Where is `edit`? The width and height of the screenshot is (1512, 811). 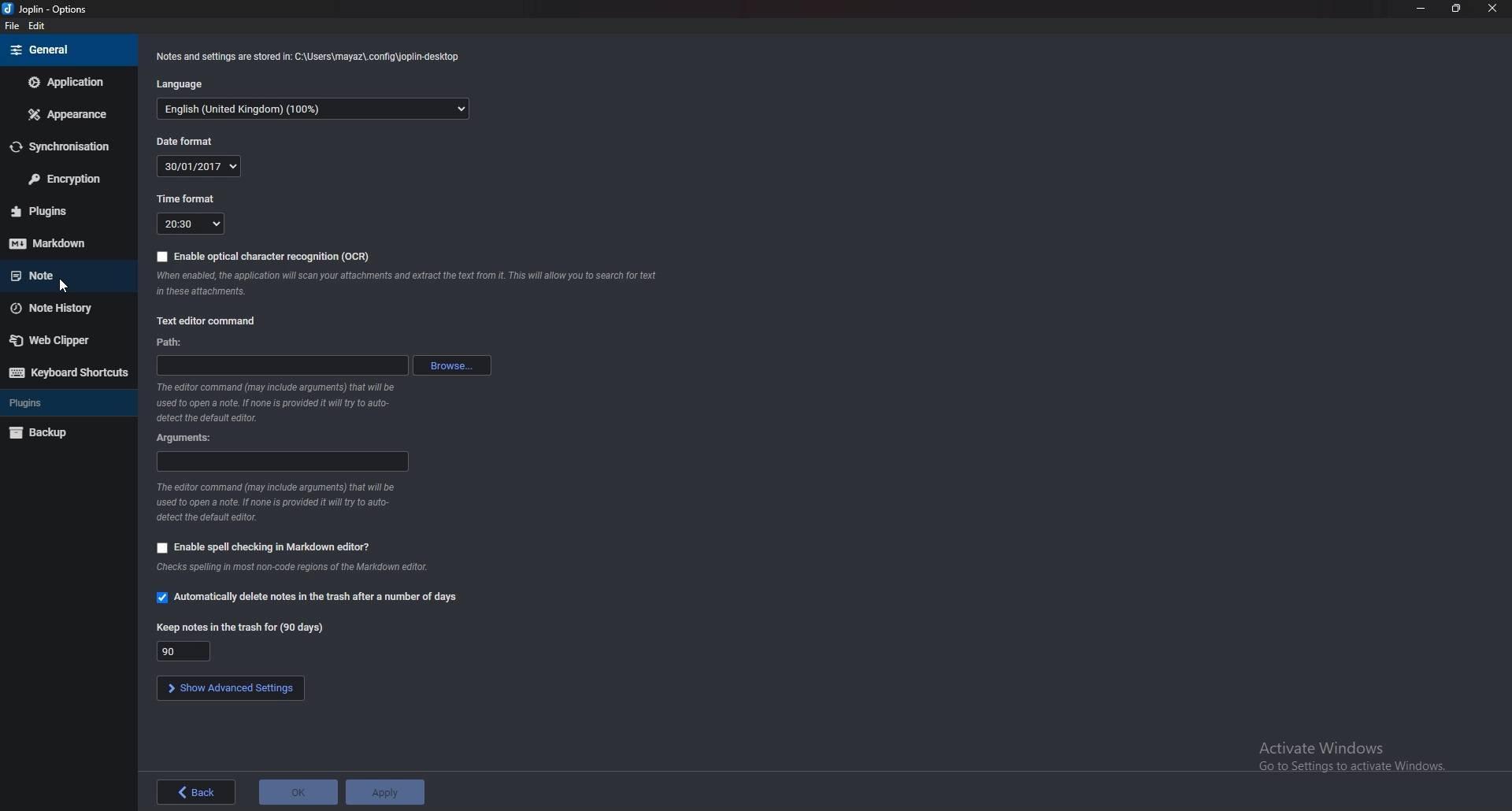 edit is located at coordinates (39, 25).